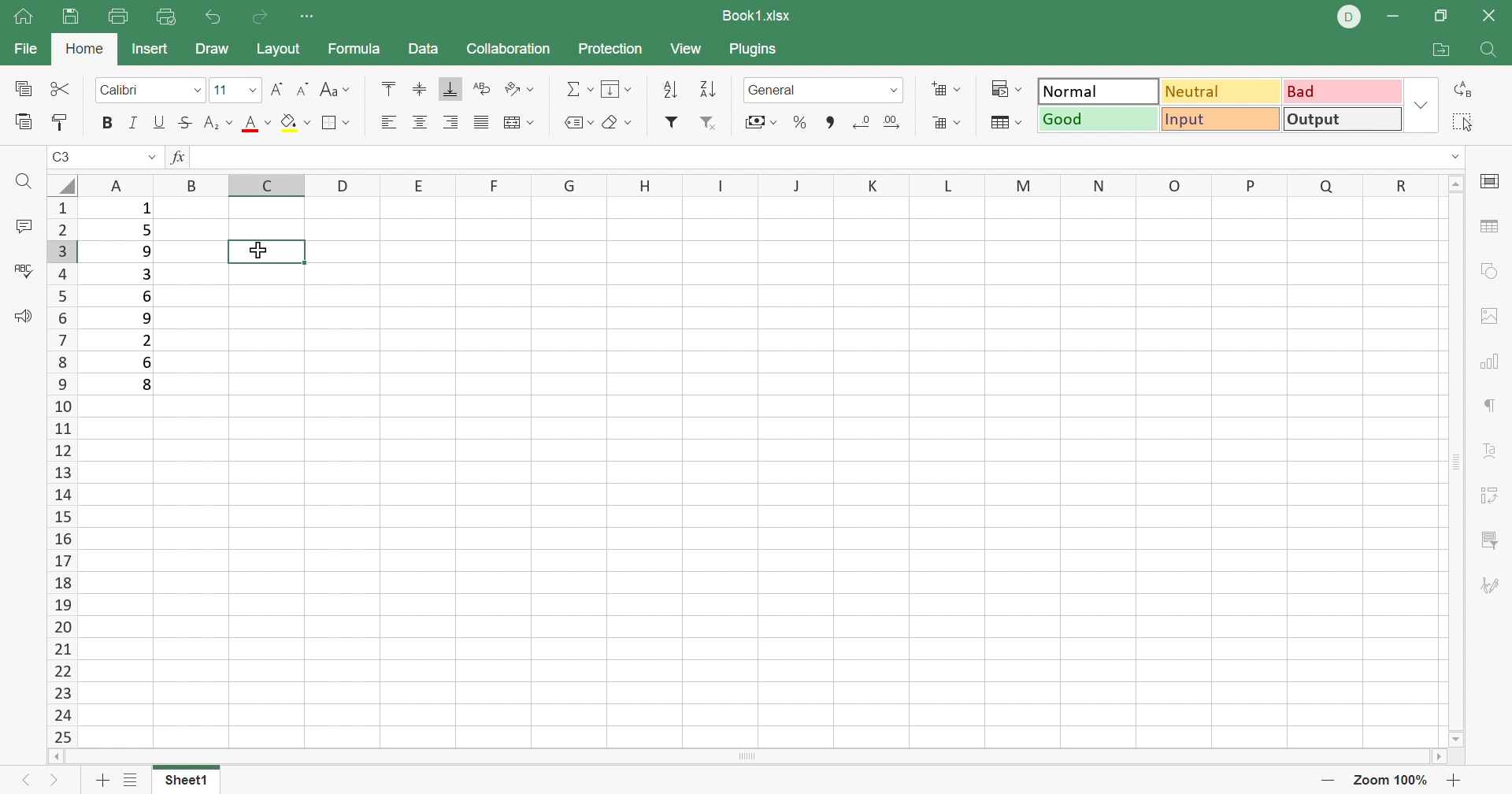 The width and height of the screenshot is (1512, 794). What do you see at coordinates (147, 254) in the screenshot?
I see `9` at bounding box center [147, 254].